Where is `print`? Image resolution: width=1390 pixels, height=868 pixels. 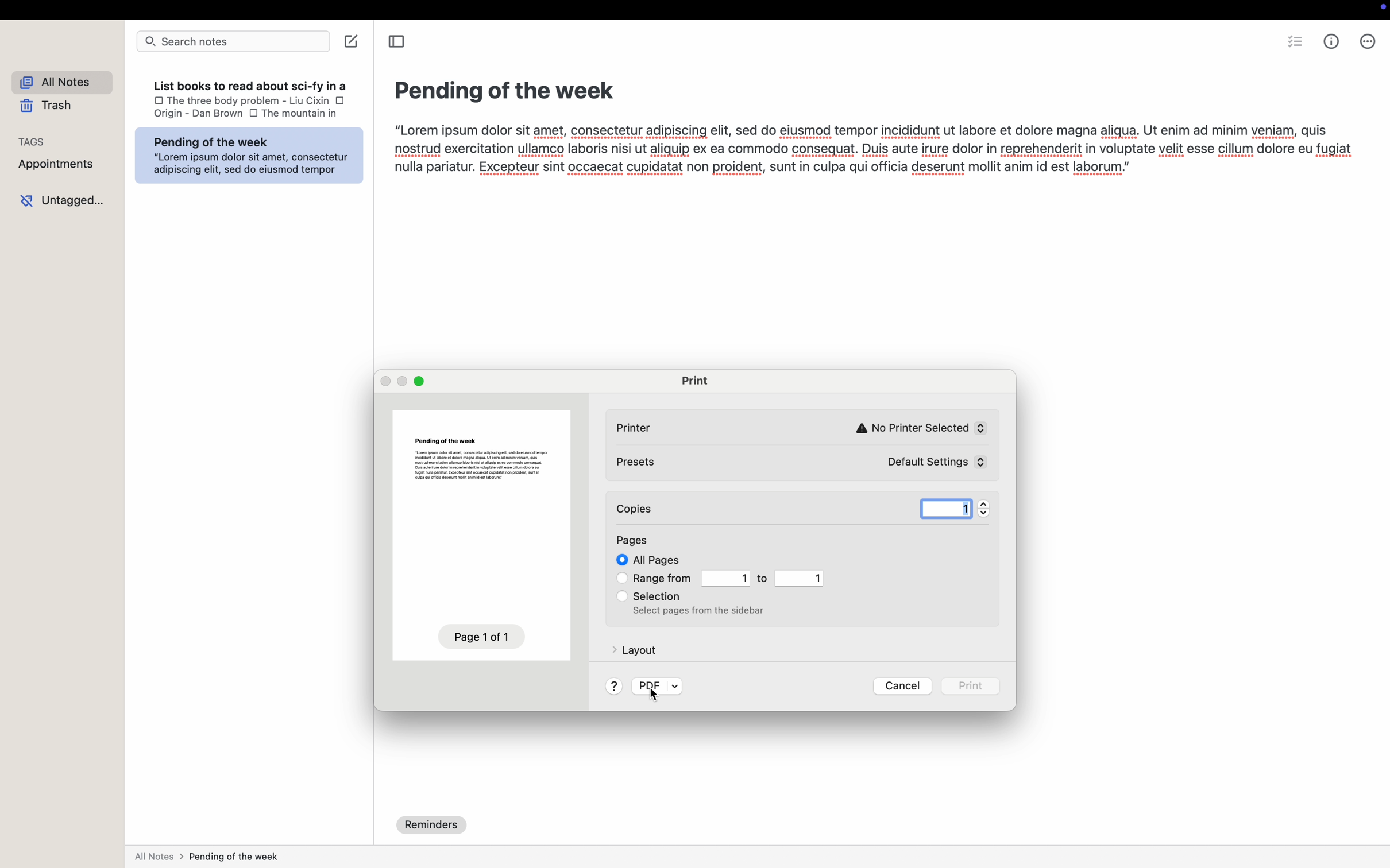 print is located at coordinates (694, 381).